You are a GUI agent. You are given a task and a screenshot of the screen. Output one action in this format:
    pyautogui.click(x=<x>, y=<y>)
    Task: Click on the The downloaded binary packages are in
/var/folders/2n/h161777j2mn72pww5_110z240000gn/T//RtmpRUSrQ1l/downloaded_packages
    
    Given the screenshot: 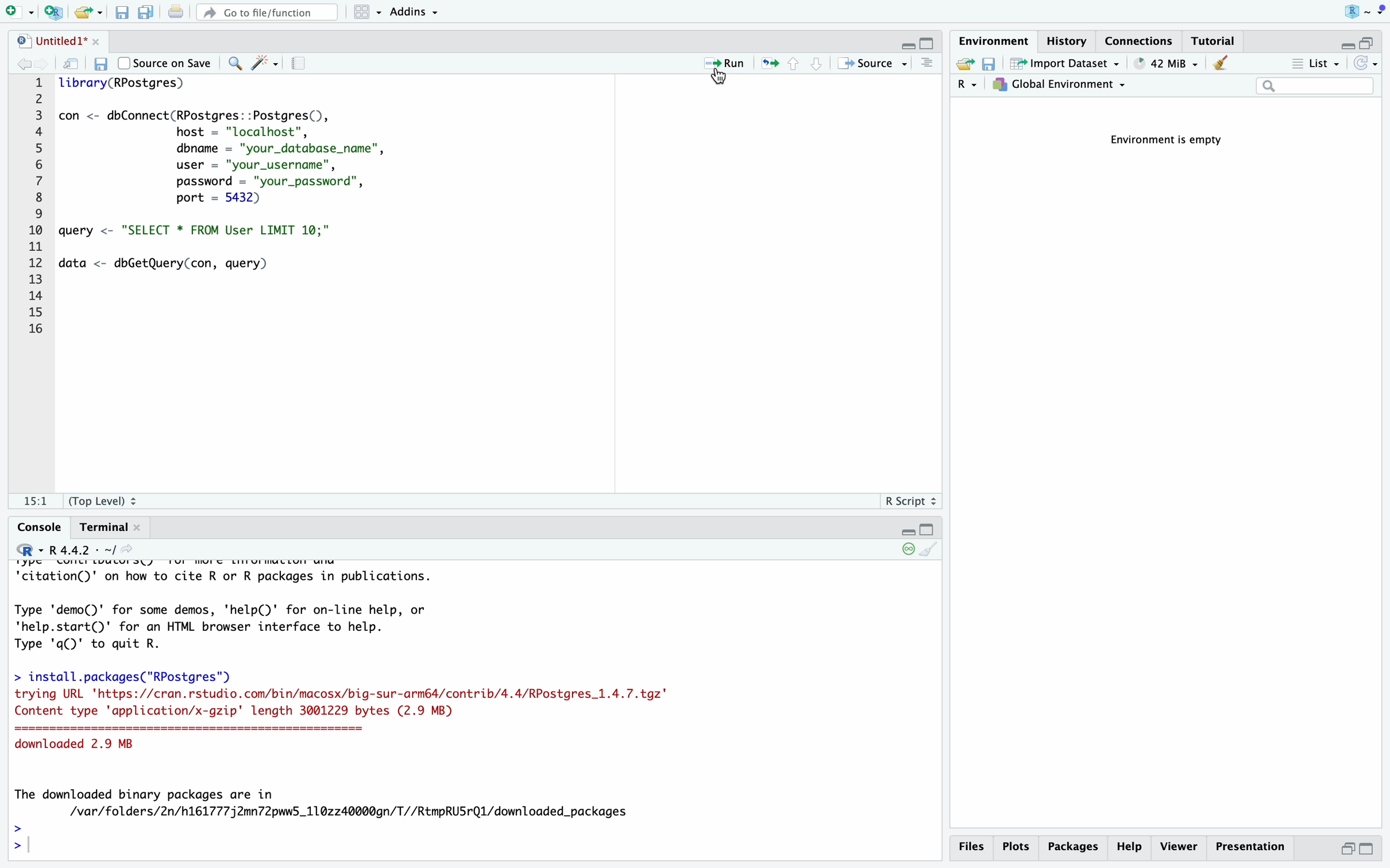 What is the action you would take?
    pyautogui.click(x=335, y=801)
    